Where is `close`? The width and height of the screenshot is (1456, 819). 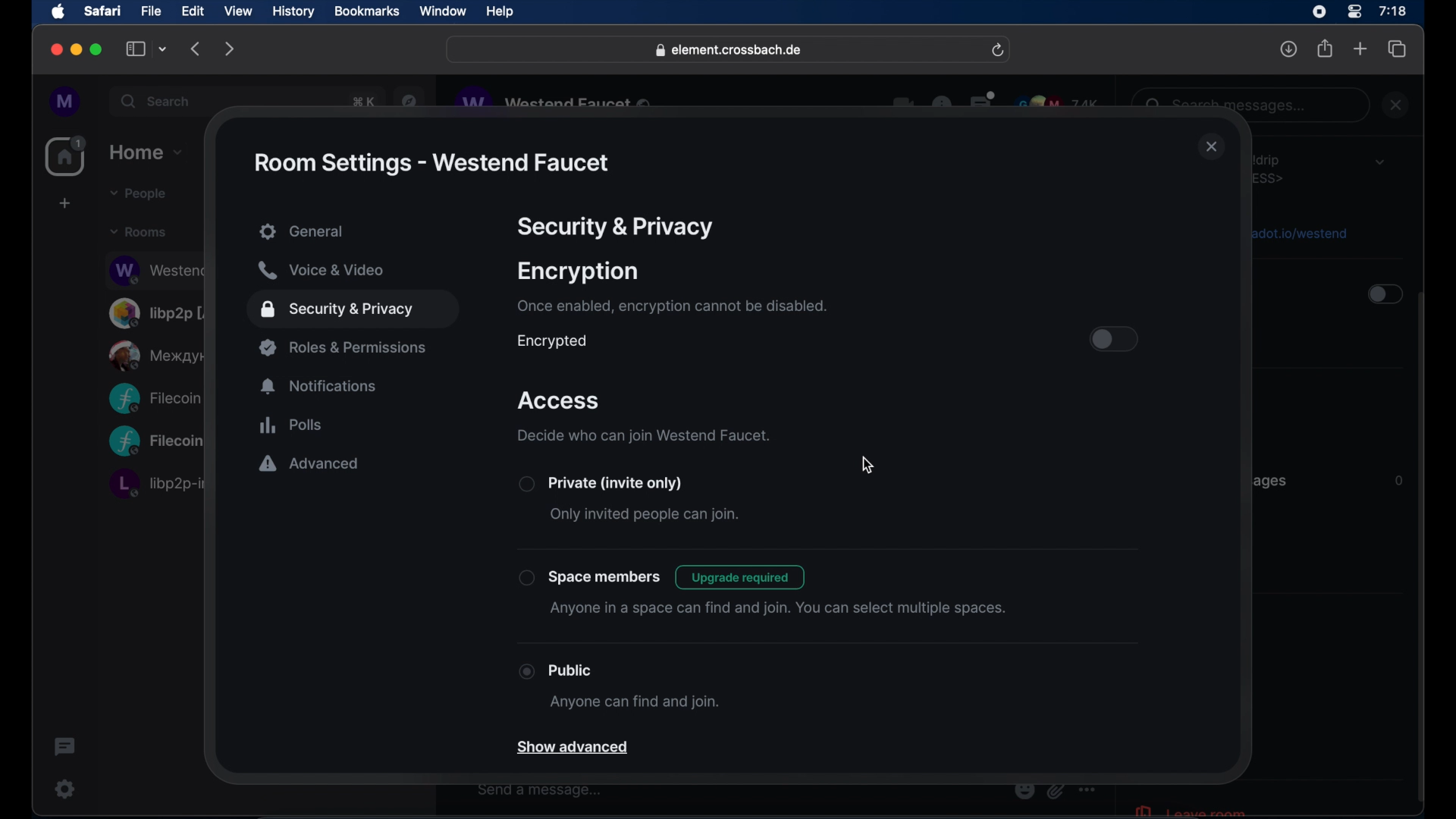 close is located at coordinates (1212, 148).